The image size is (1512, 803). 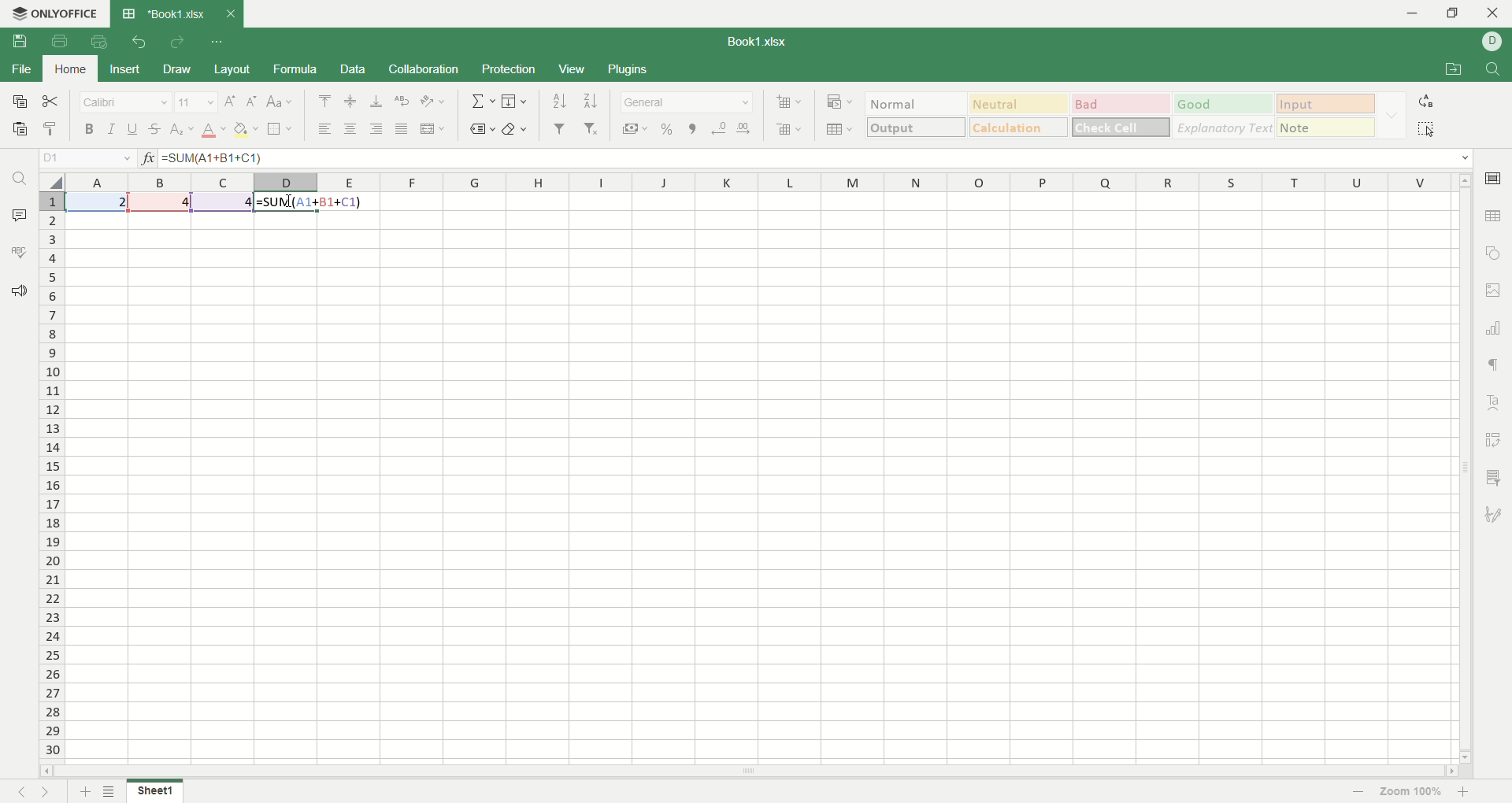 I want to click on protection, so click(x=510, y=71).